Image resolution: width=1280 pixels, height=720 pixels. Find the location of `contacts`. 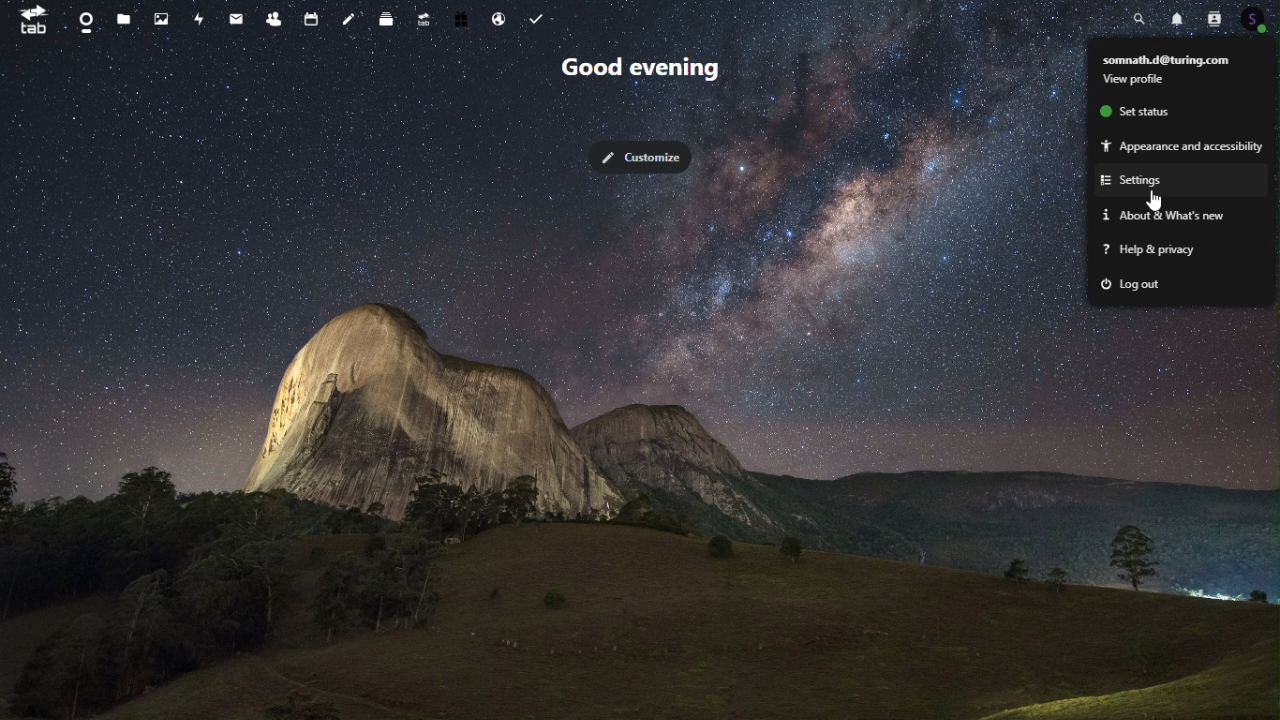

contacts is located at coordinates (274, 17).